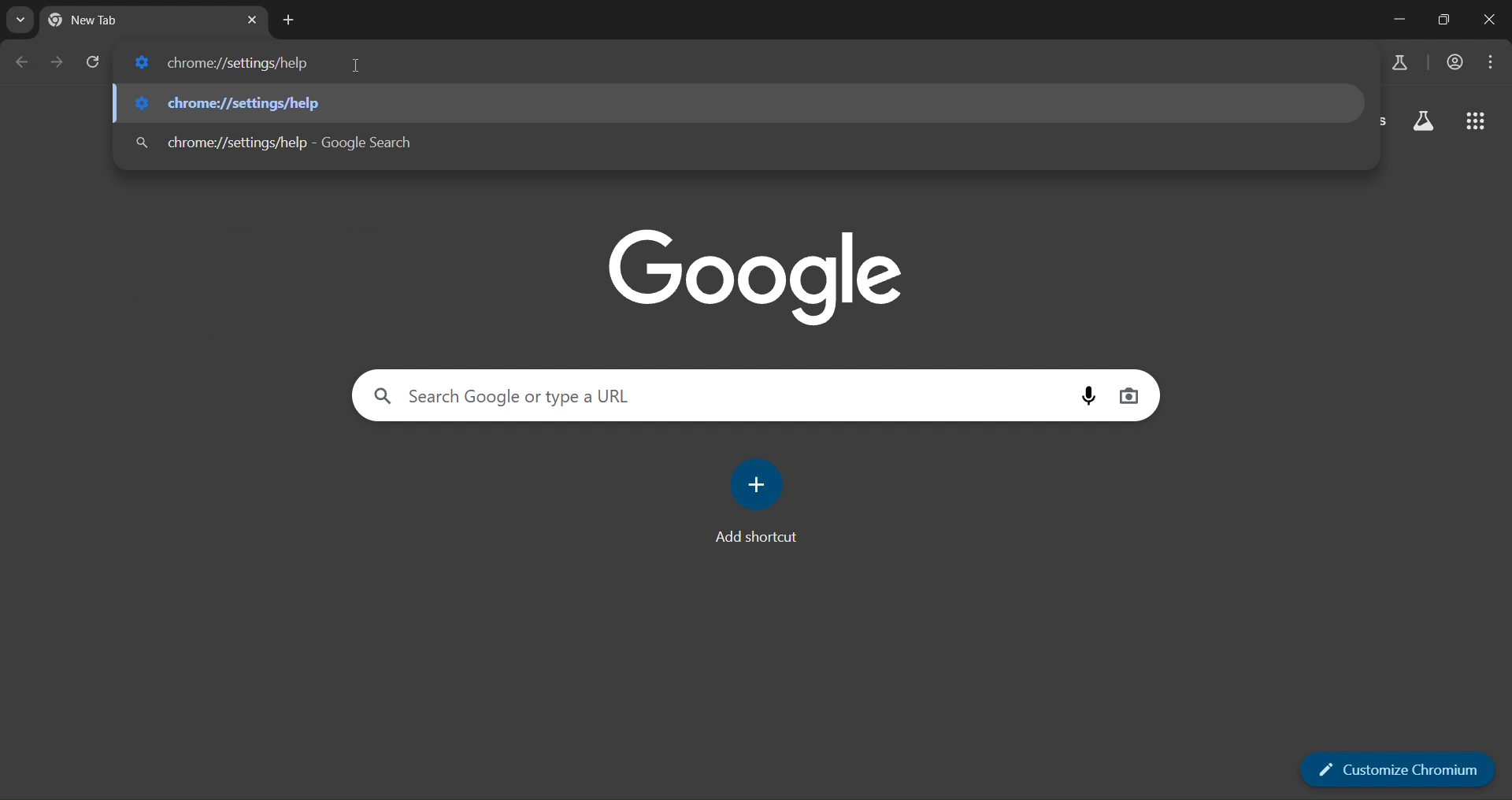 Image resolution: width=1512 pixels, height=800 pixels. What do you see at coordinates (20, 62) in the screenshot?
I see `go back one page` at bounding box center [20, 62].